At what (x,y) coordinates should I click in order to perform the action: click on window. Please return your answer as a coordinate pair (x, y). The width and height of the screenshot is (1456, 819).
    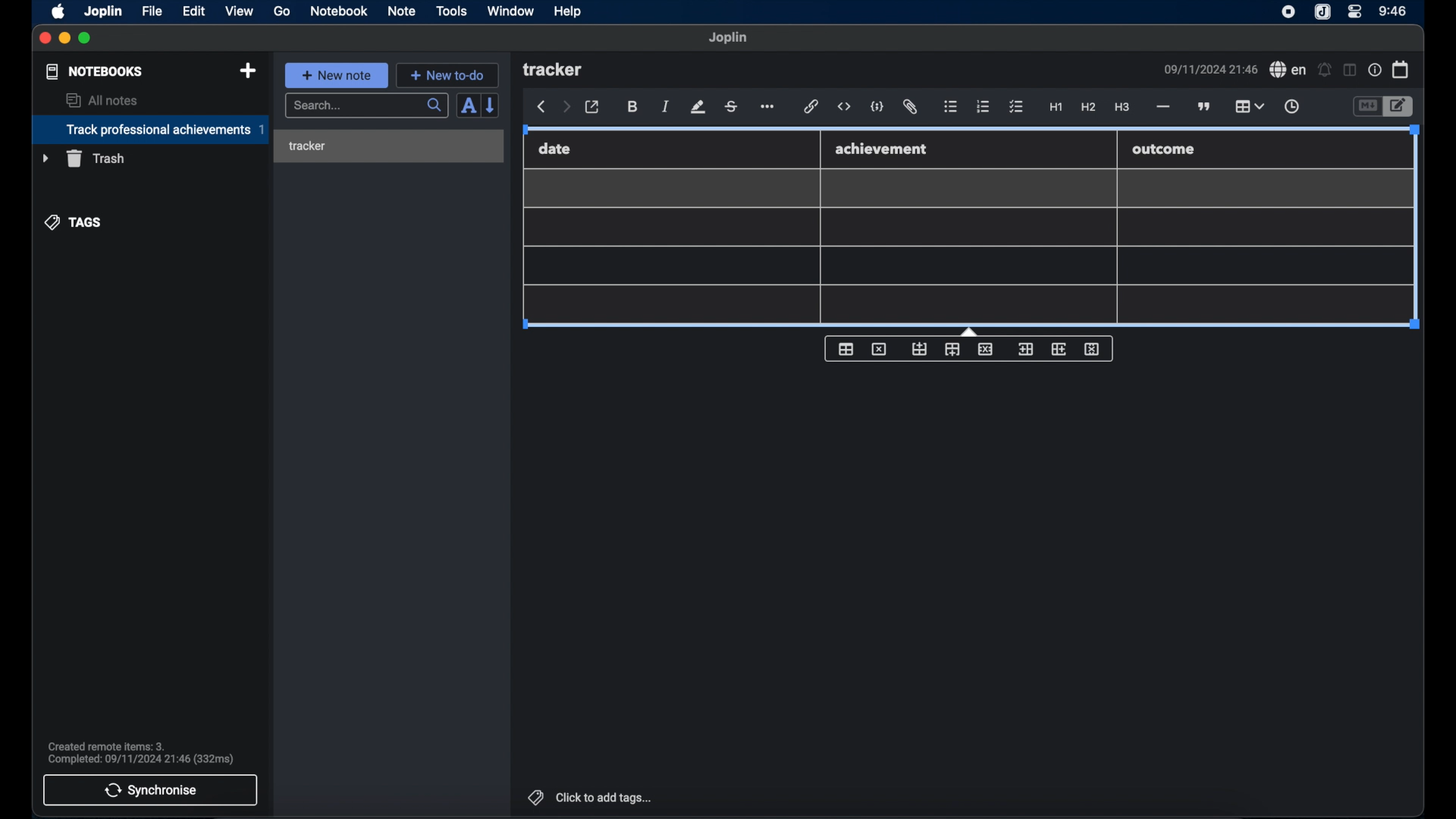
    Looking at the image, I should click on (510, 11).